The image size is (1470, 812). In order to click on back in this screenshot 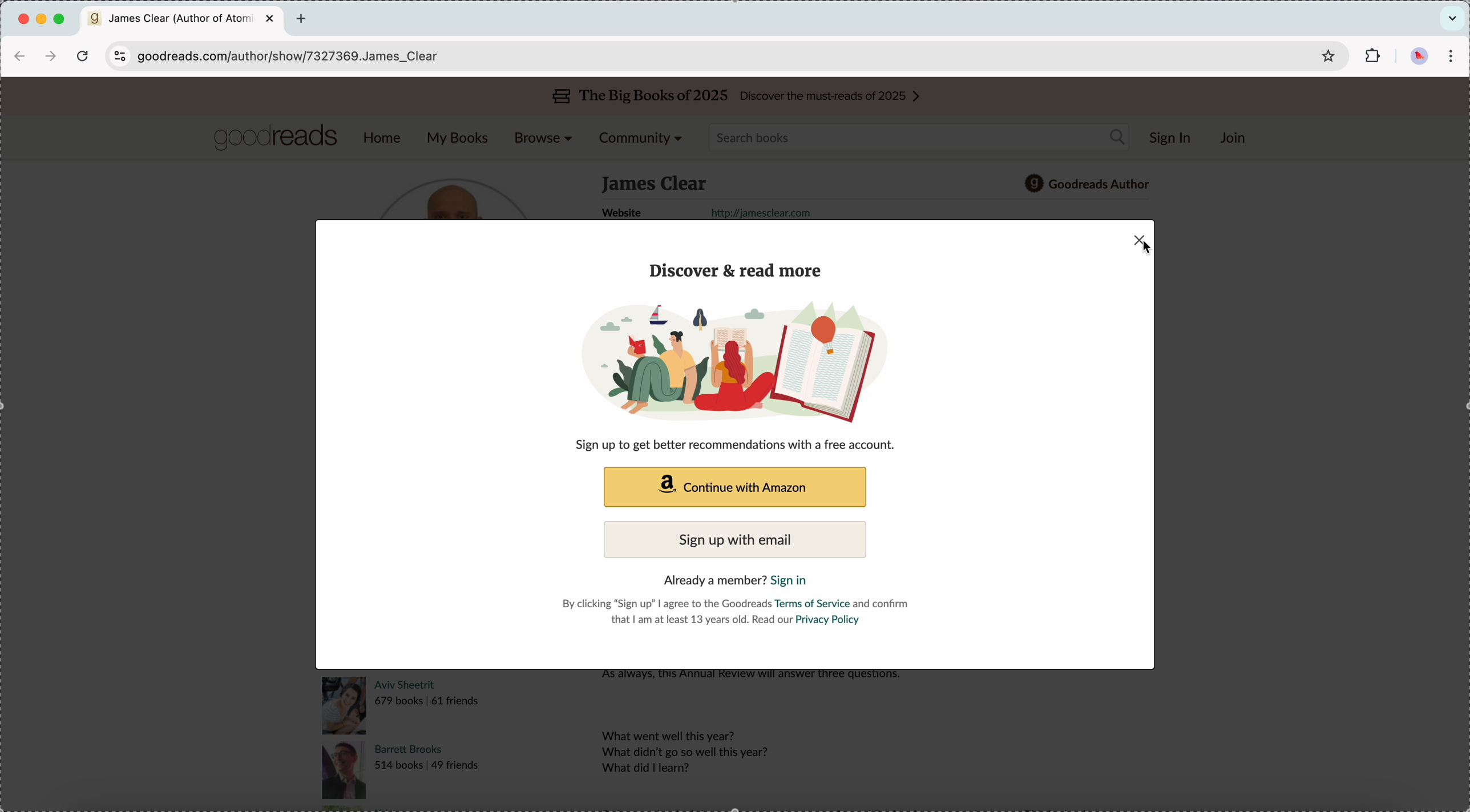, I will do `click(22, 57)`.